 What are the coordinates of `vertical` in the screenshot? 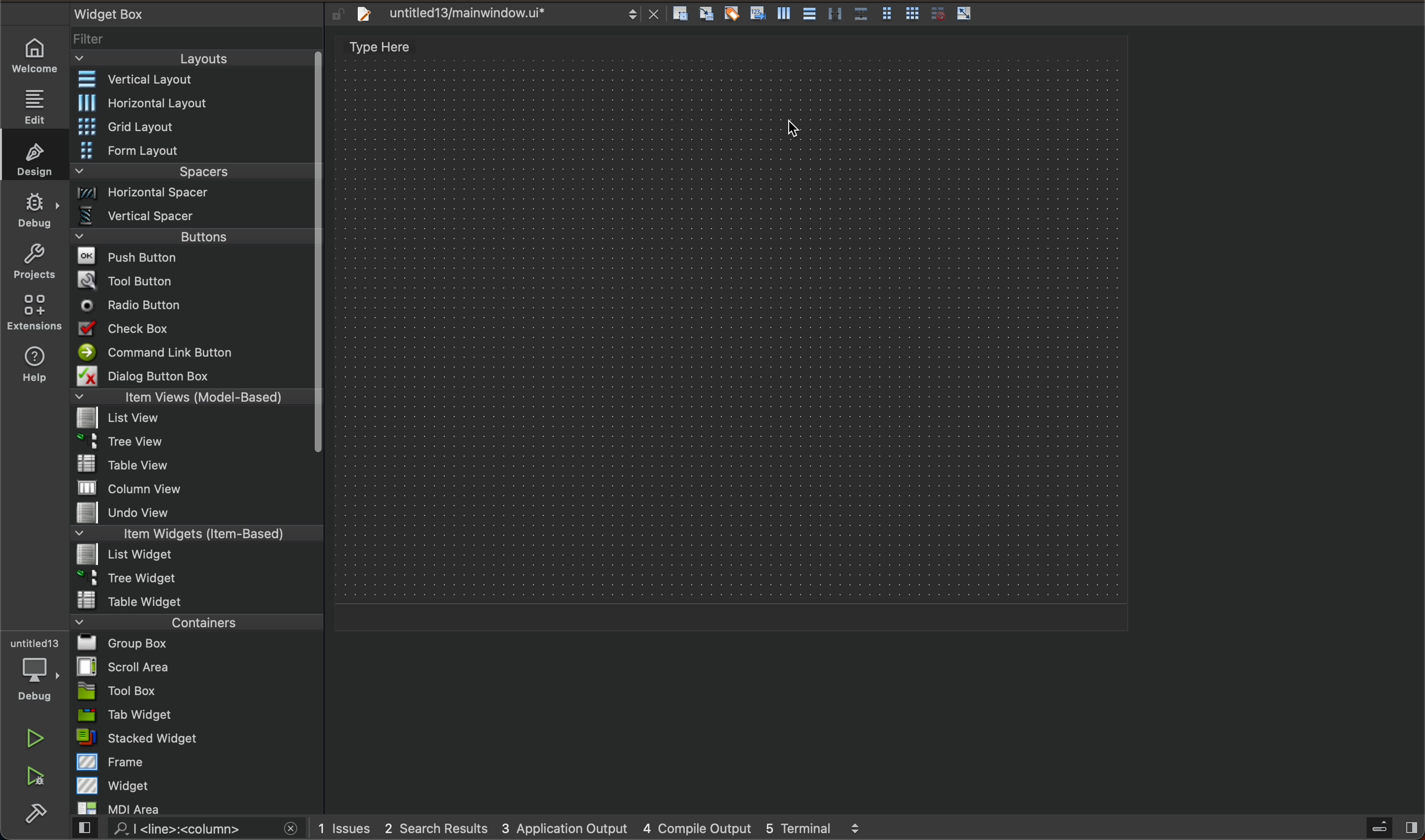 It's located at (786, 14).